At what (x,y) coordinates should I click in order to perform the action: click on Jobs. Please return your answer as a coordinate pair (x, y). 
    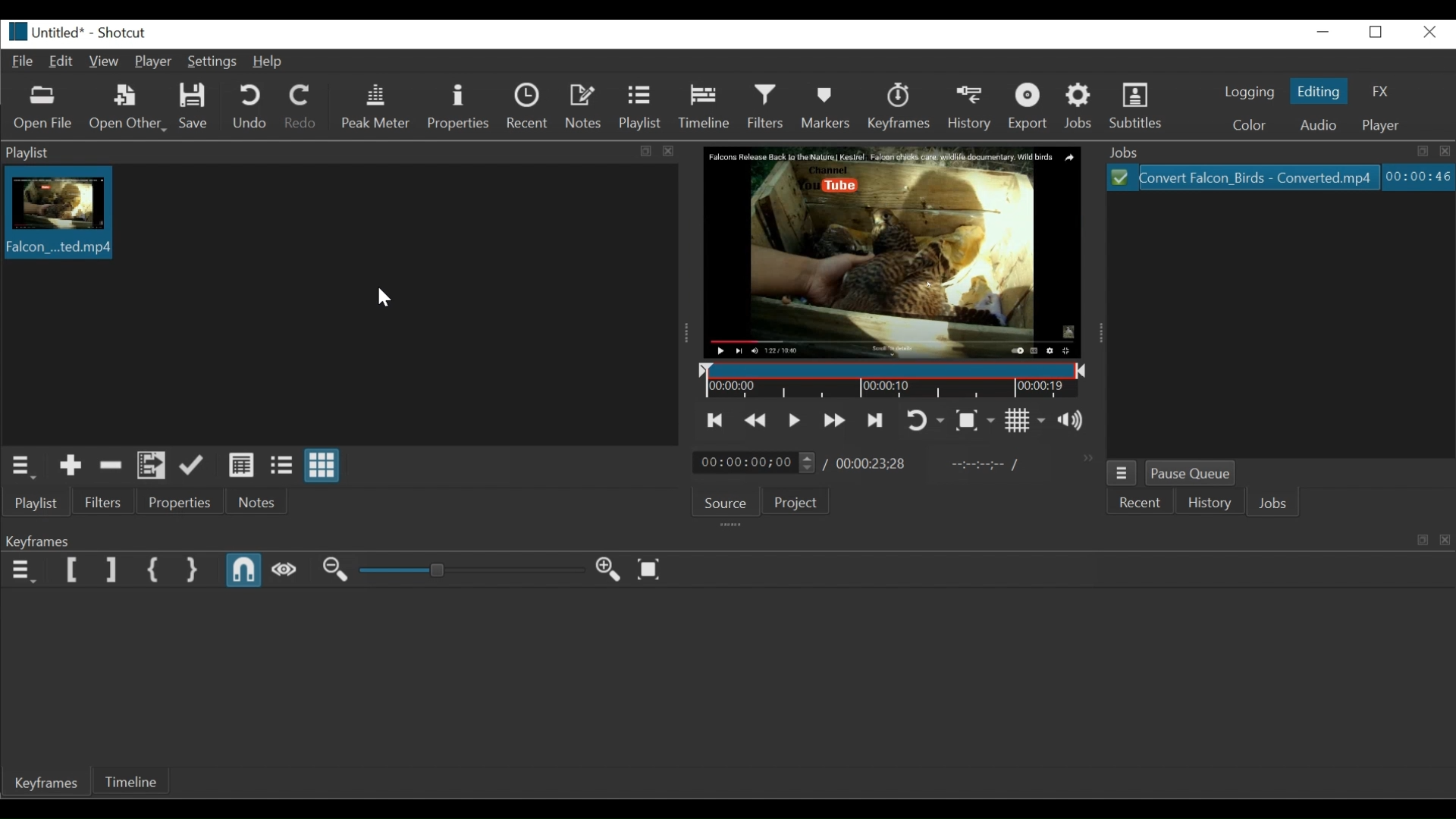
    Looking at the image, I should click on (1278, 152).